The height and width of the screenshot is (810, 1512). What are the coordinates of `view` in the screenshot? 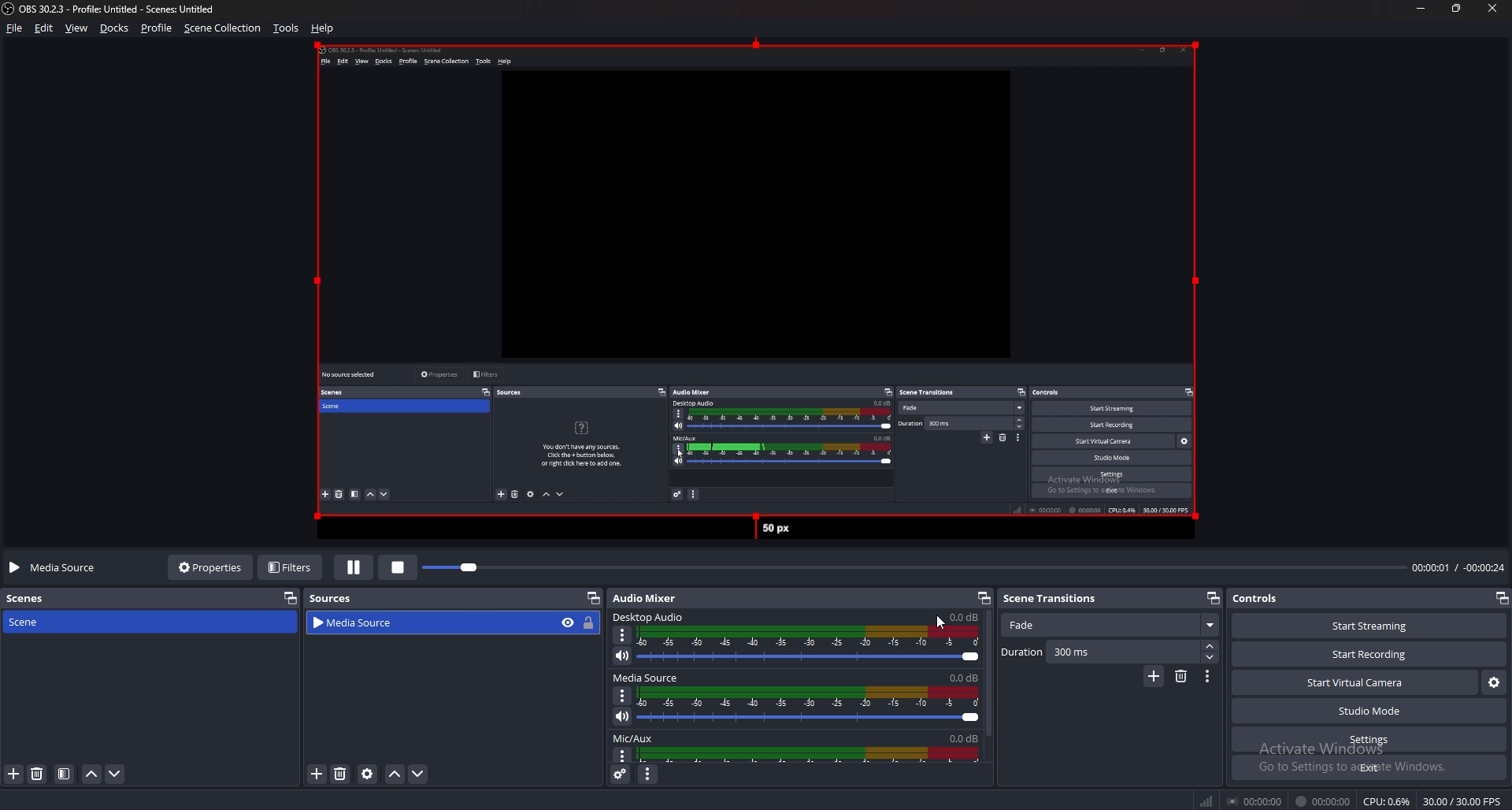 It's located at (77, 29).